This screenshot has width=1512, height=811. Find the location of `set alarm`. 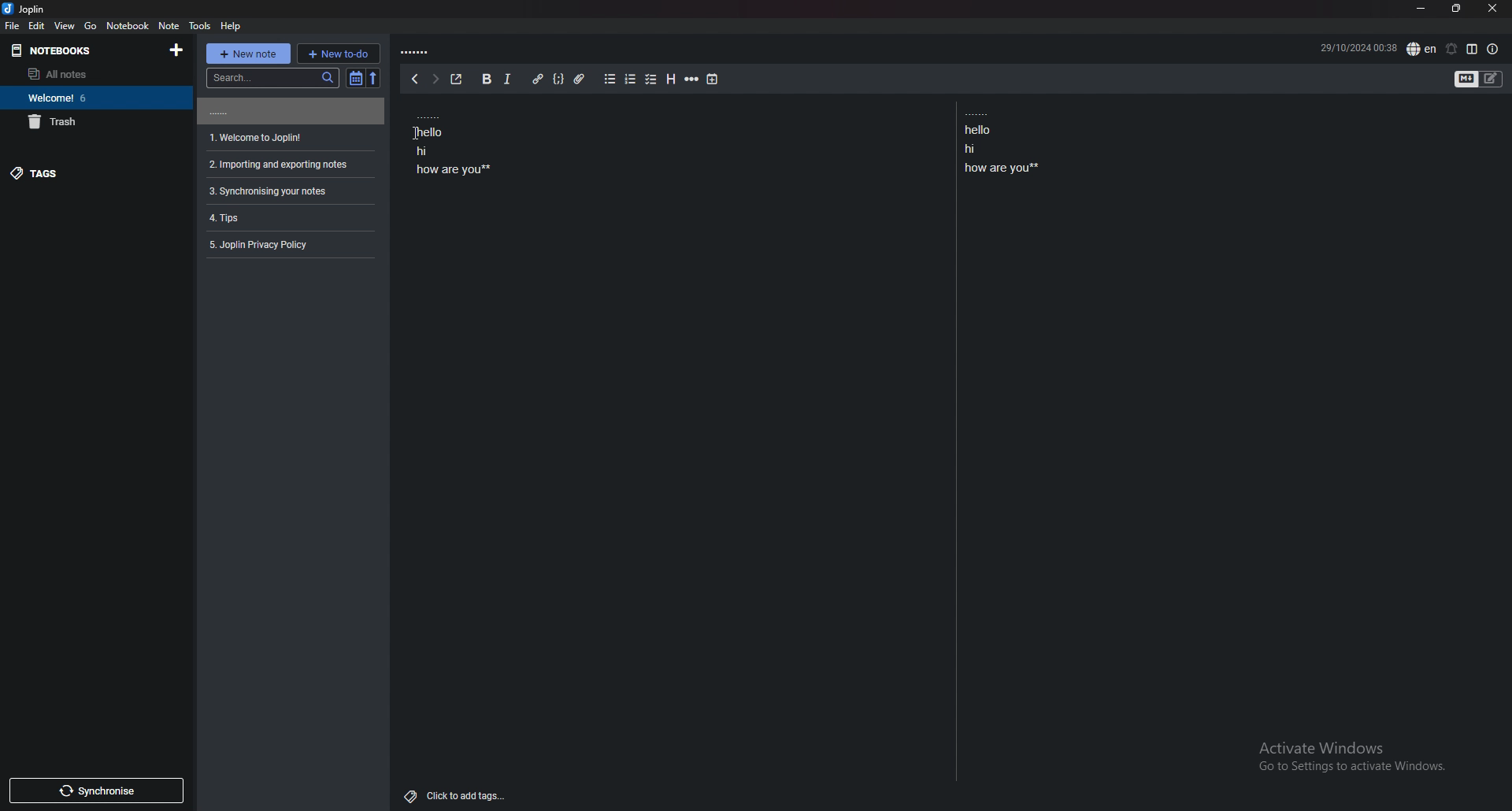

set alarm is located at coordinates (1451, 49).